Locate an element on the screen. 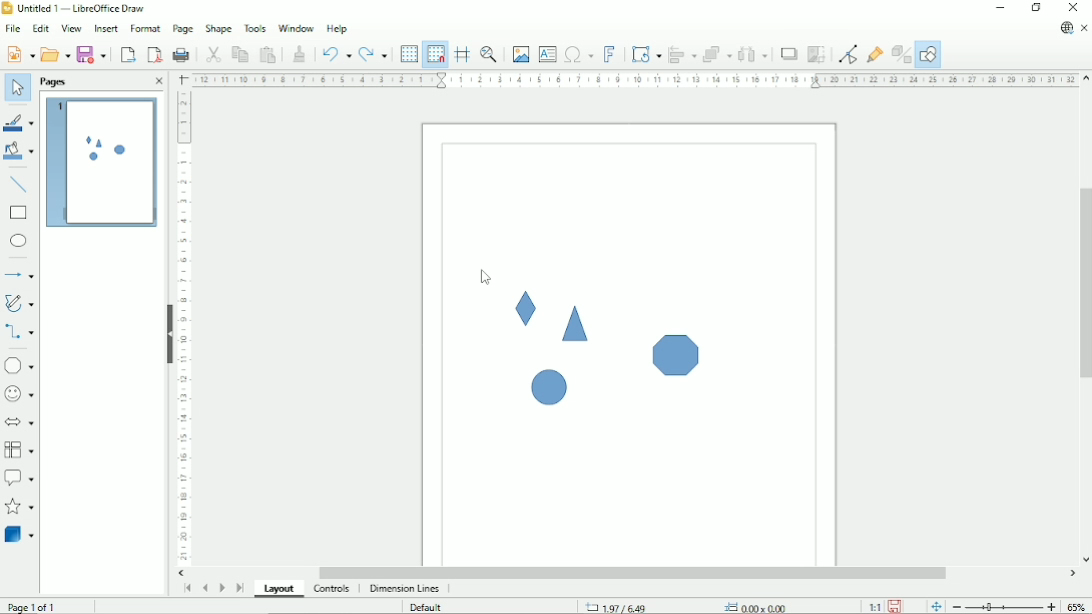  Save is located at coordinates (895, 606).